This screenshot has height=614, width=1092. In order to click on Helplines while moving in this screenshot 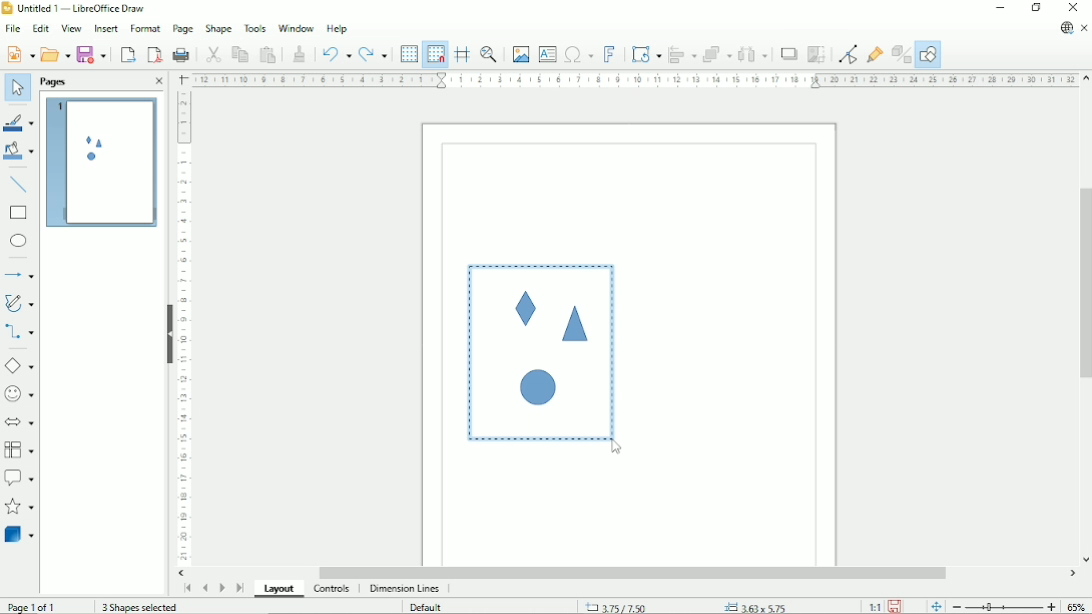, I will do `click(461, 54)`.